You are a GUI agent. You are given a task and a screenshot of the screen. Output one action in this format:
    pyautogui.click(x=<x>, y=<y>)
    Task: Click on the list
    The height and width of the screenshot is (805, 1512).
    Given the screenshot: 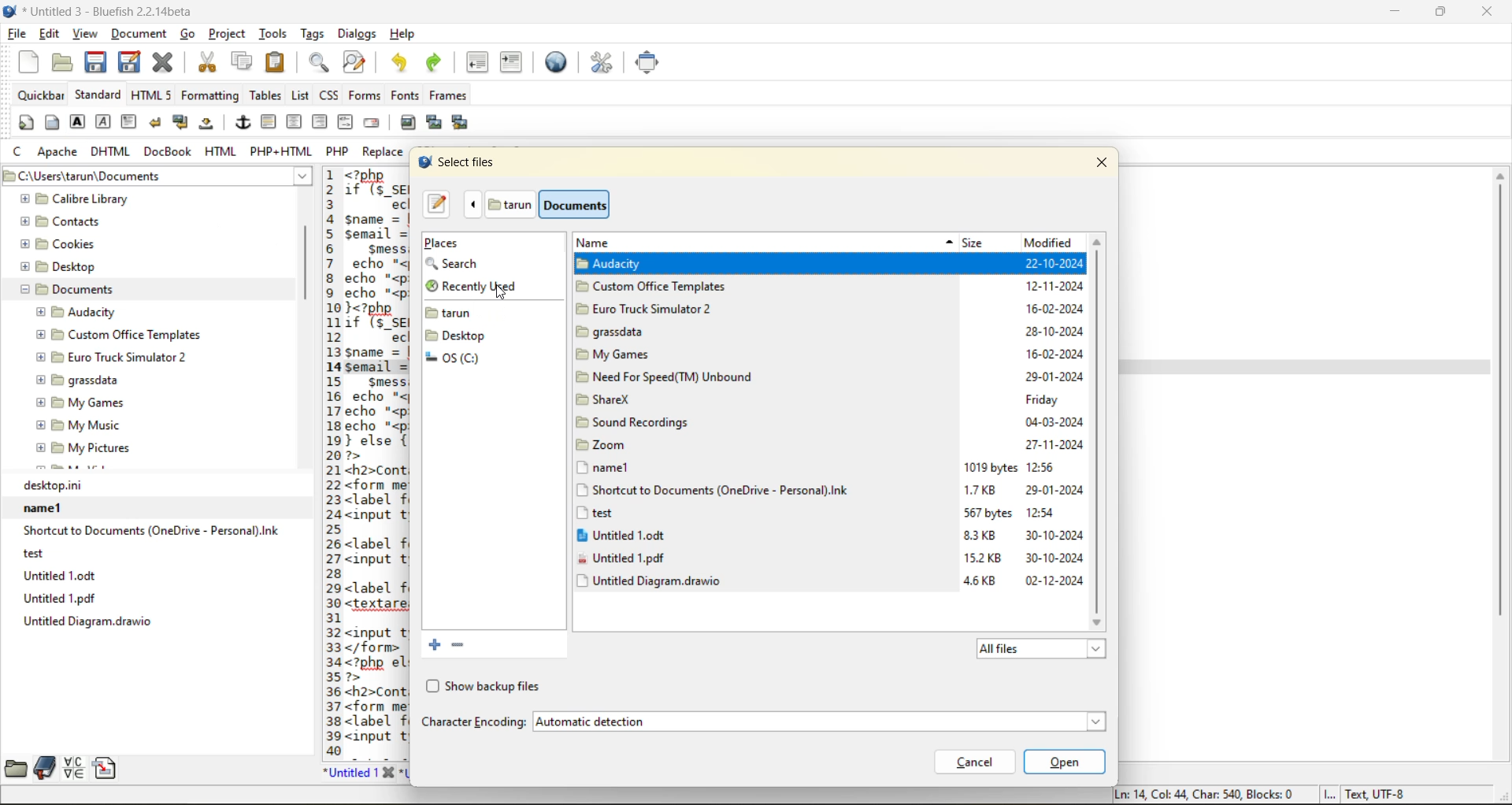 What is the action you would take?
    pyautogui.click(x=301, y=96)
    